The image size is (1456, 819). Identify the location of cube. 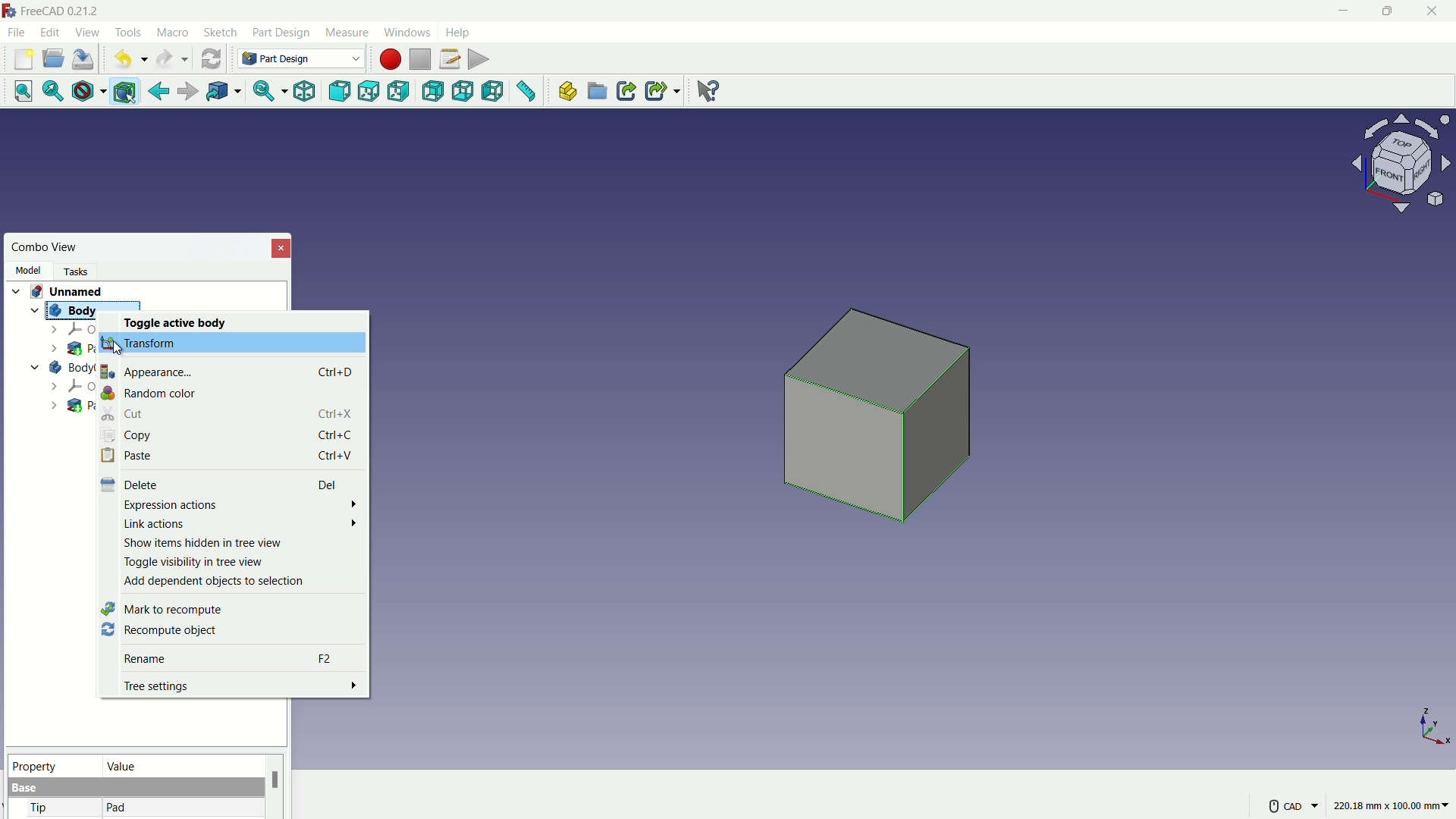
(882, 423).